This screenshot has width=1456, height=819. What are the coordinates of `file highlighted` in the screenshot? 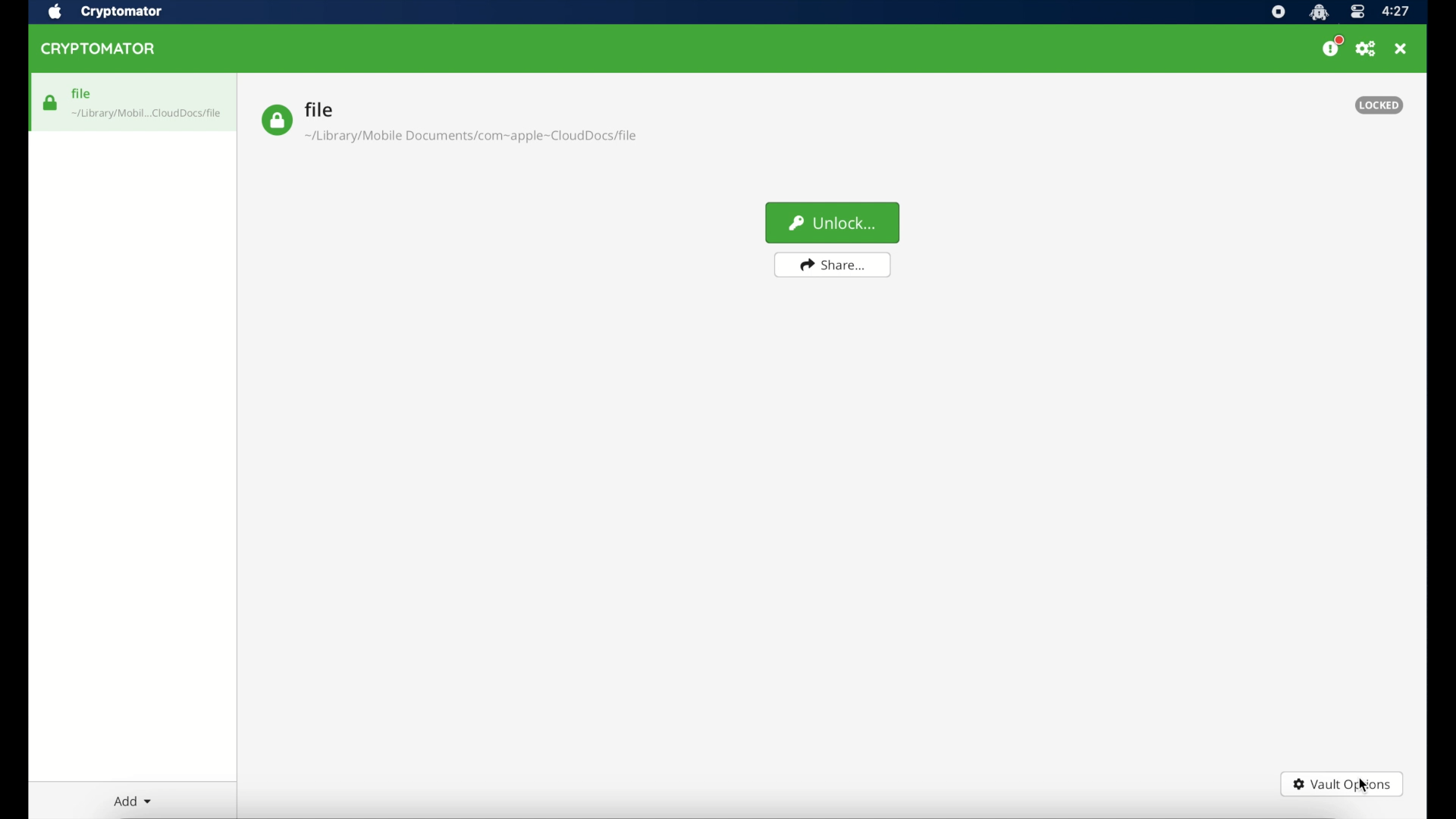 It's located at (133, 102).